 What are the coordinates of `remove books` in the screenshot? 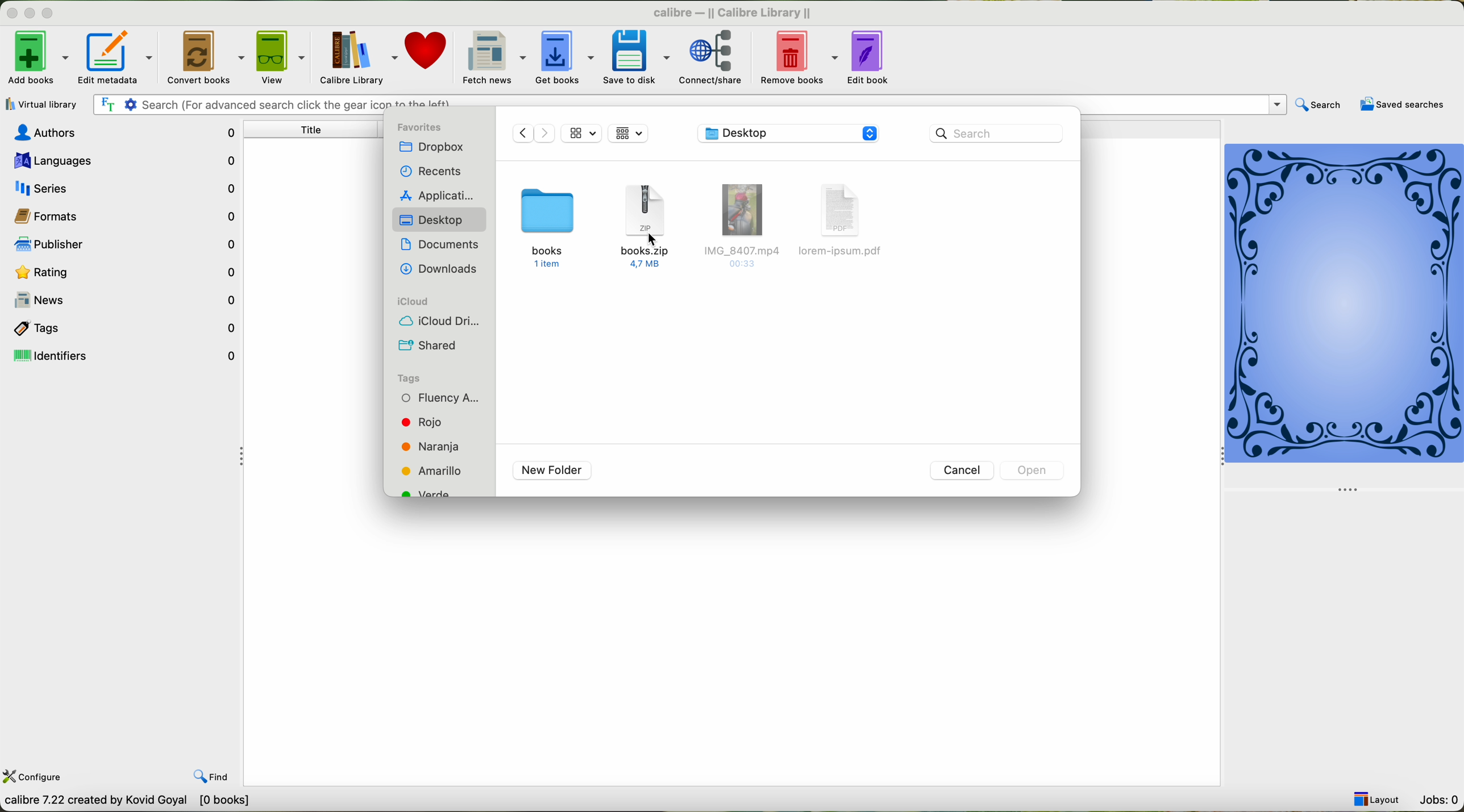 It's located at (800, 58).